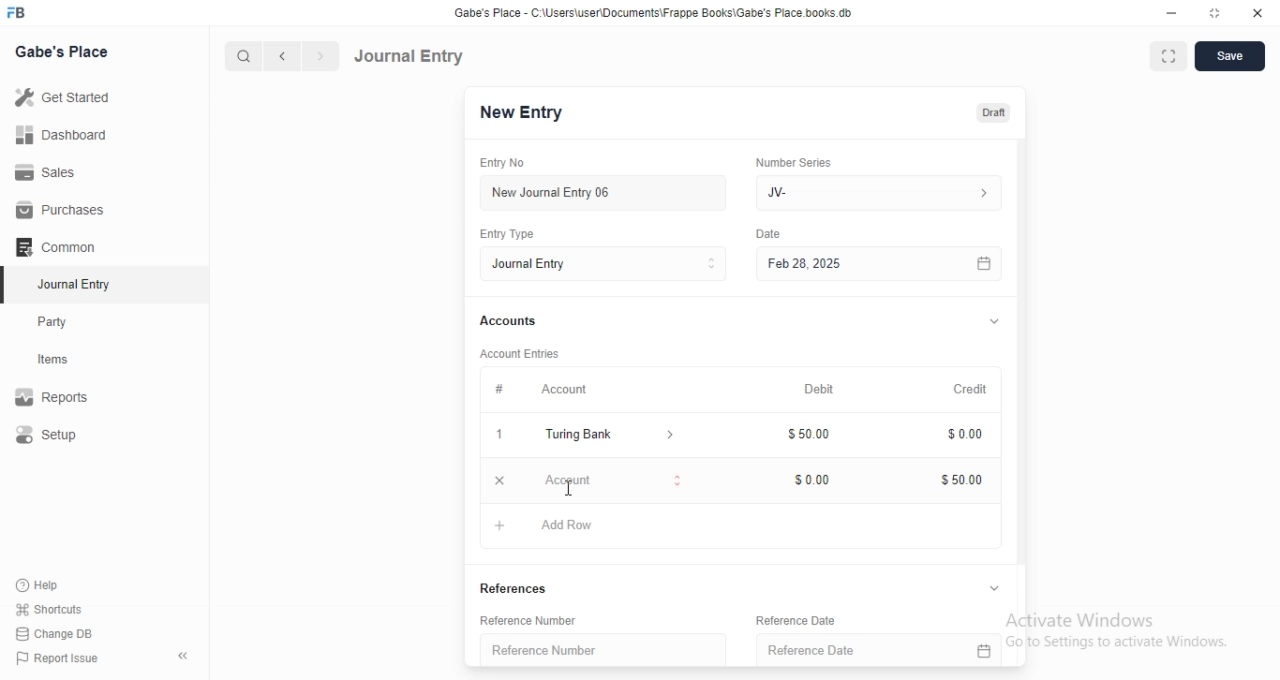 This screenshot has height=680, width=1280. I want to click on close, so click(497, 480).